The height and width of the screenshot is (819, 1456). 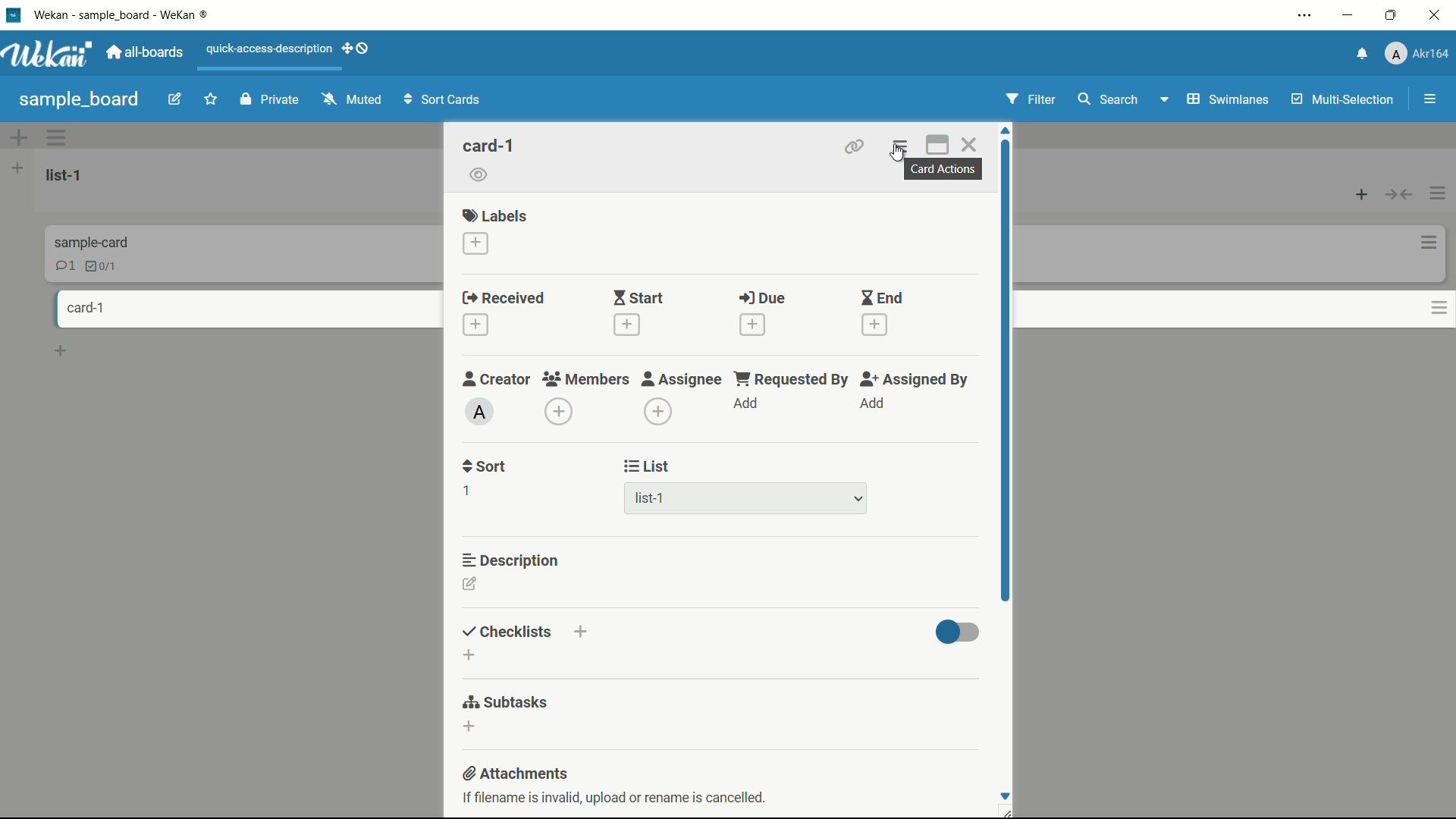 I want to click on description, so click(x=511, y=560).